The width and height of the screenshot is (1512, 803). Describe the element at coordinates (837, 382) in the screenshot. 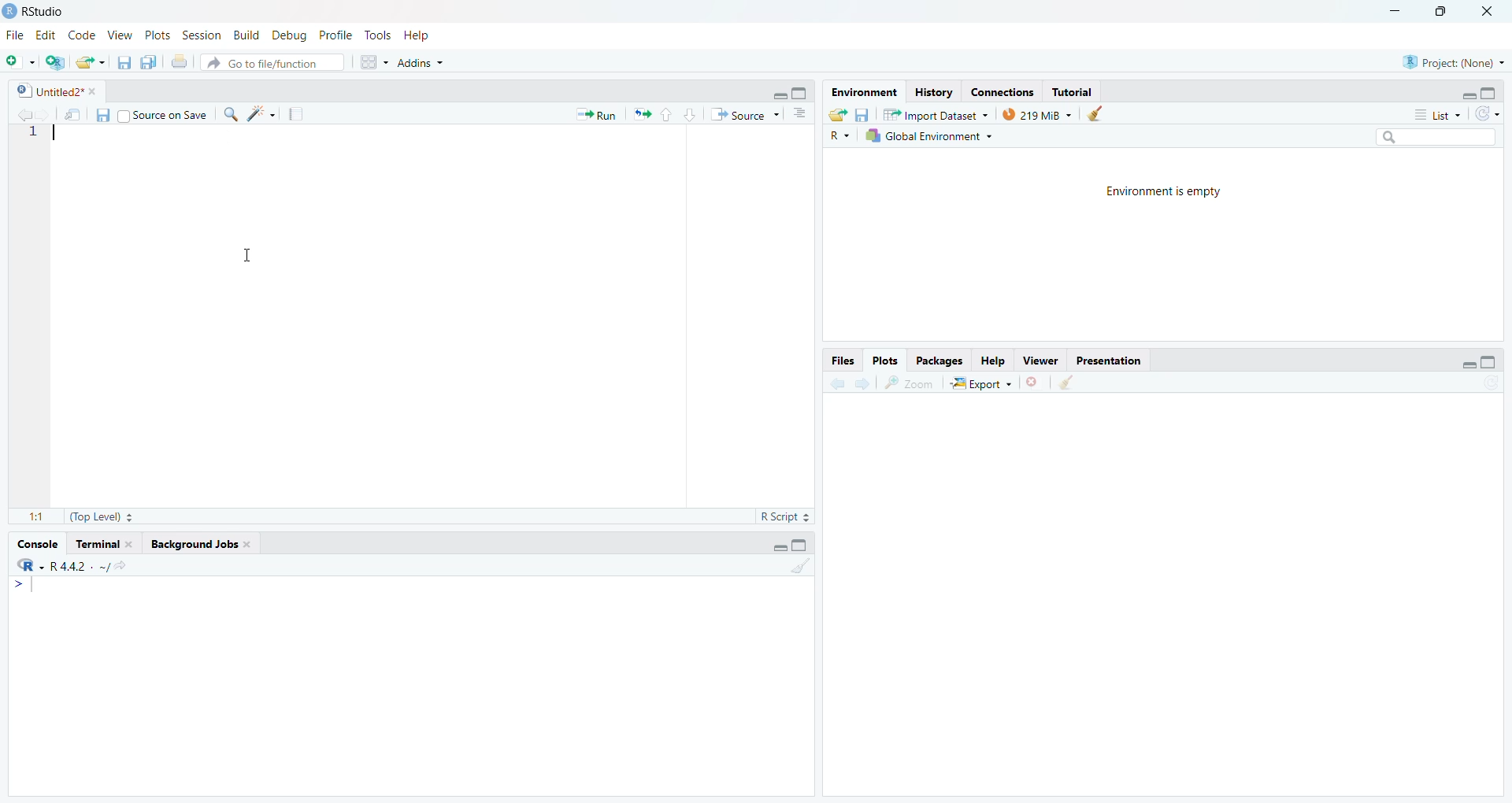

I see `Previous plot` at that location.